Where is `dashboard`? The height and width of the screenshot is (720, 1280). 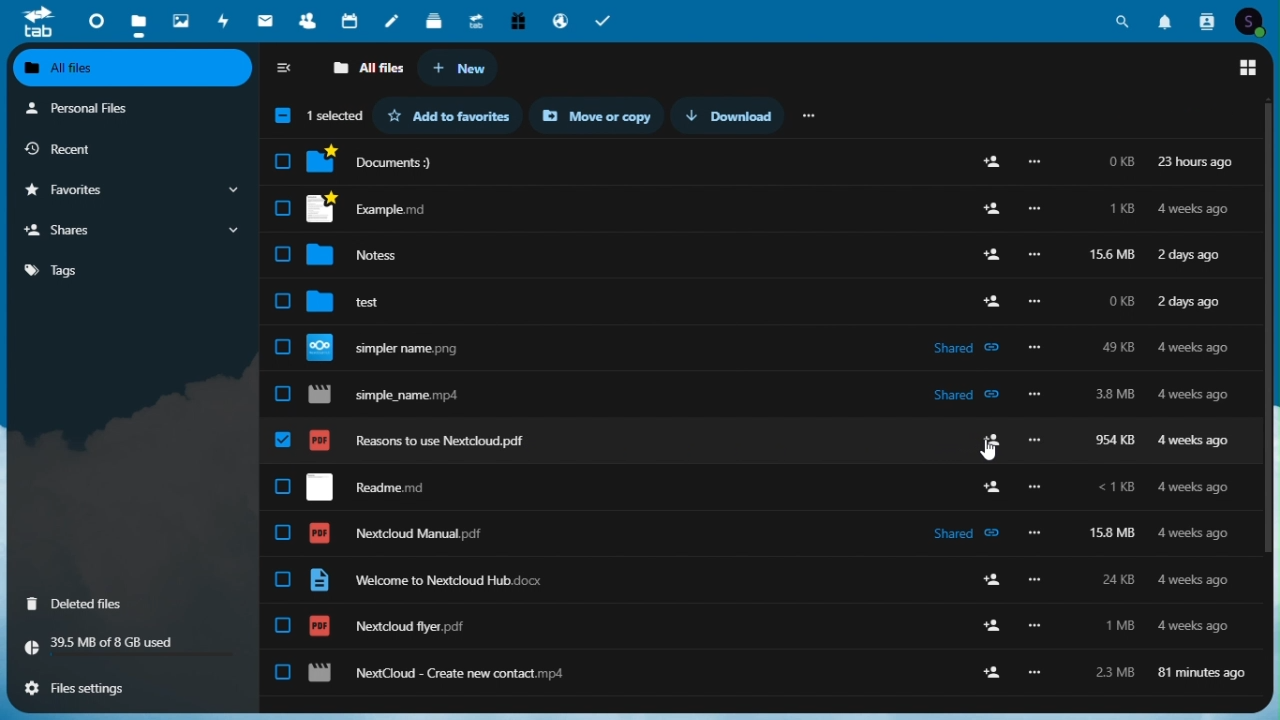
dashboard is located at coordinates (89, 20).